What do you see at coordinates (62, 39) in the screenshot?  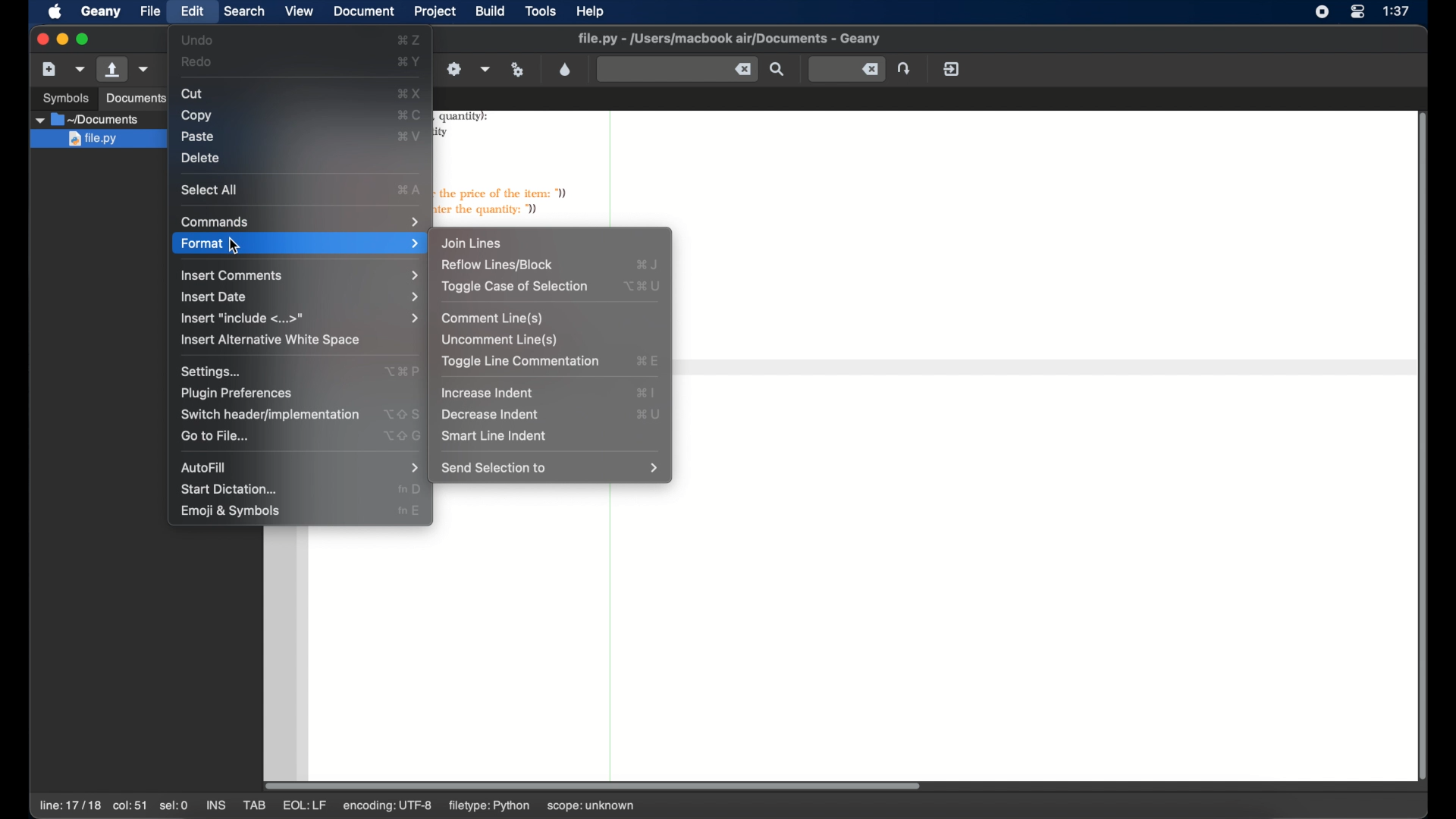 I see `minimize` at bounding box center [62, 39].